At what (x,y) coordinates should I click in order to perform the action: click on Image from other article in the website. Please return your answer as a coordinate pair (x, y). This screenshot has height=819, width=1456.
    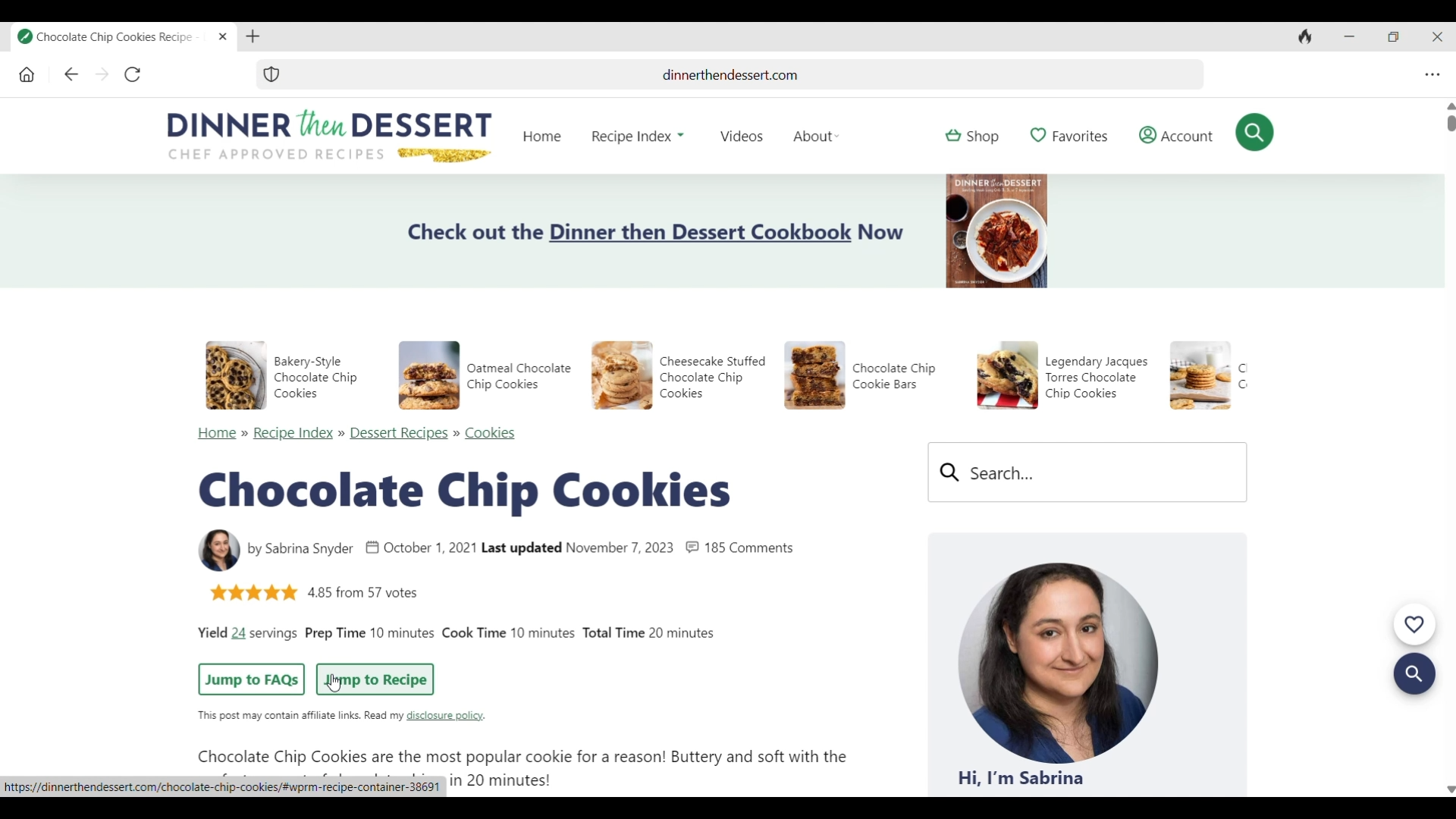
    Looking at the image, I should click on (1200, 375).